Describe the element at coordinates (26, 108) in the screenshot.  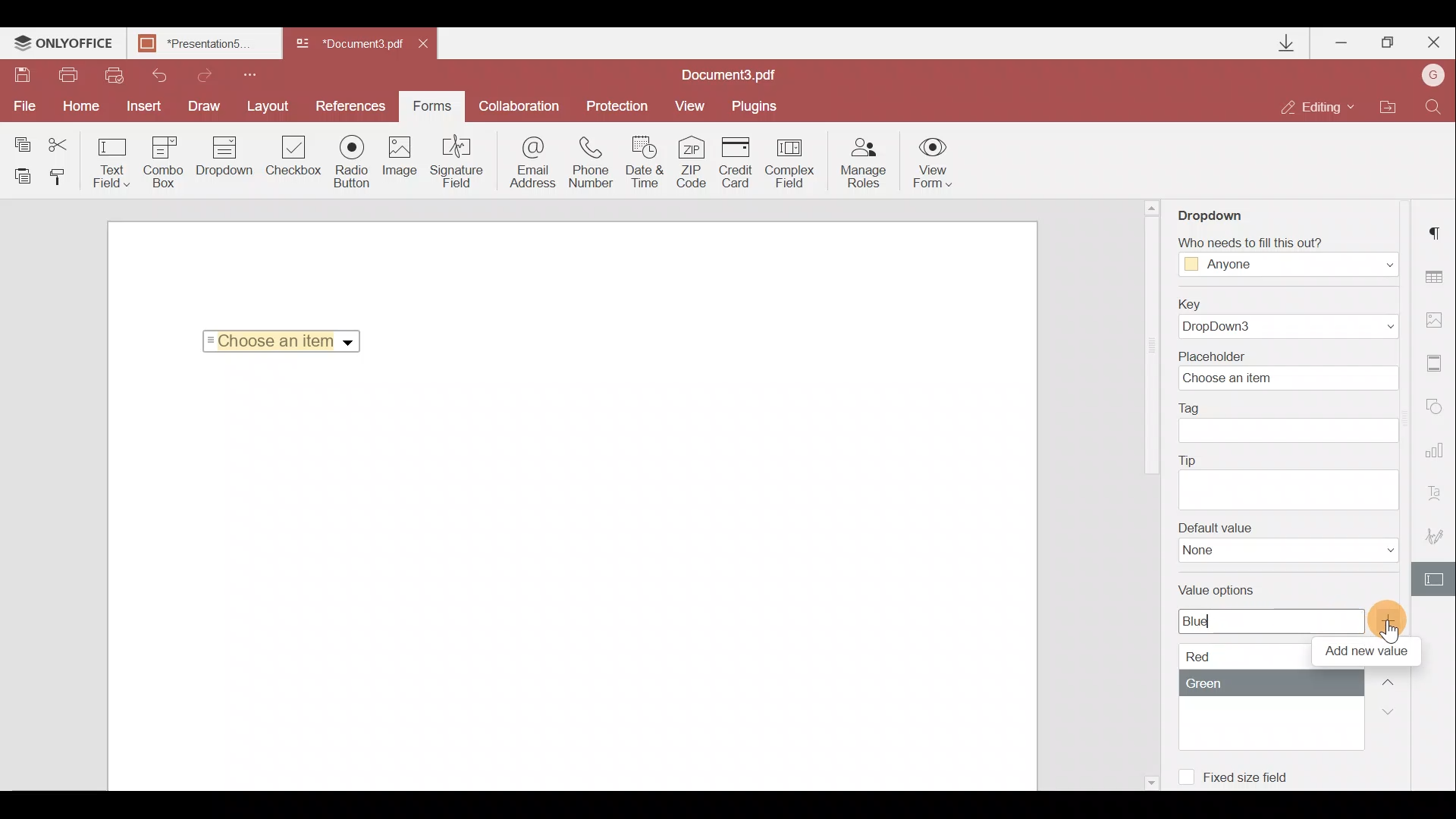
I see `File` at that location.